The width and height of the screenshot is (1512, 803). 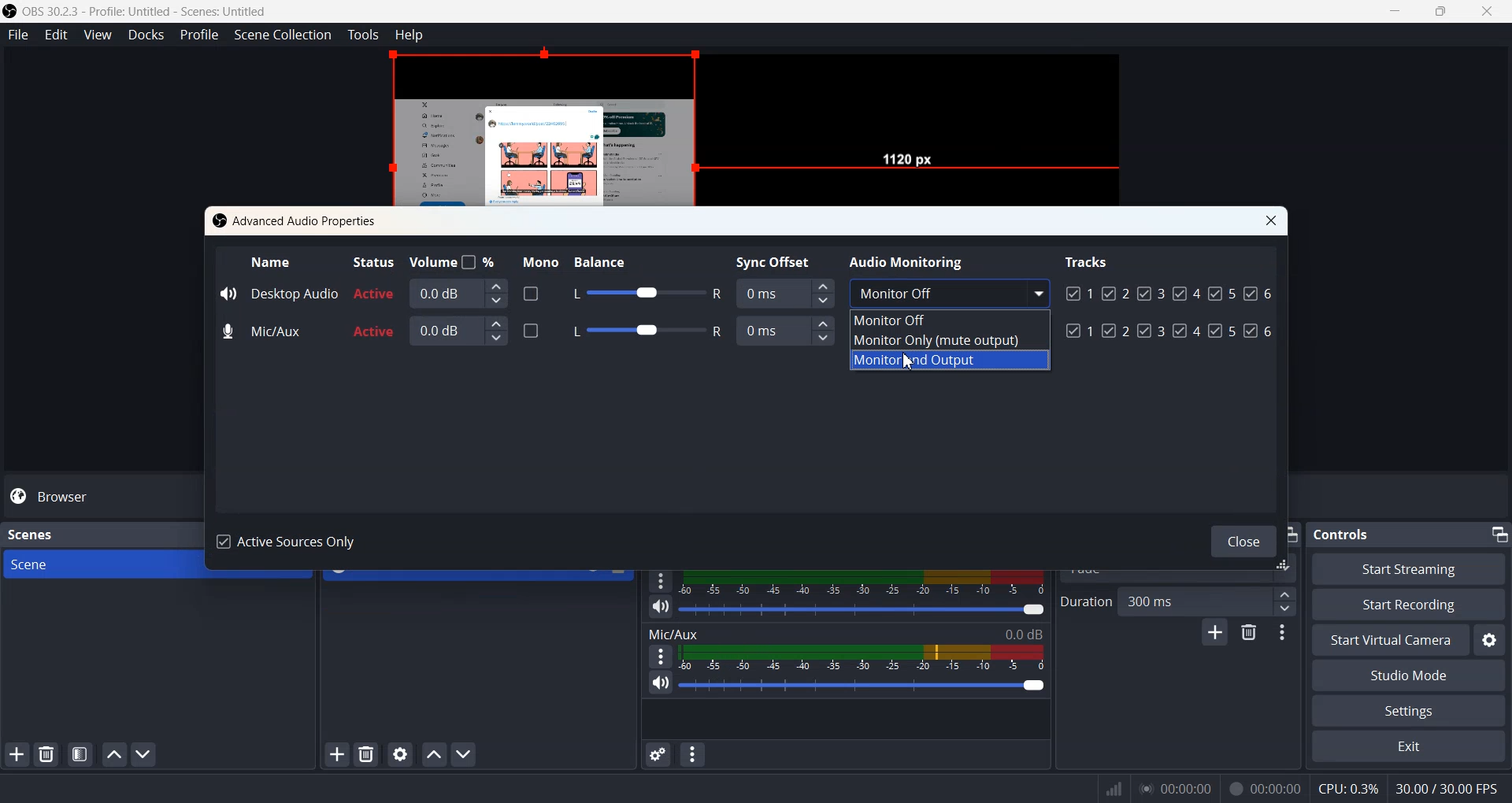 What do you see at coordinates (948, 291) in the screenshot?
I see `Monitor Off` at bounding box center [948, 291].